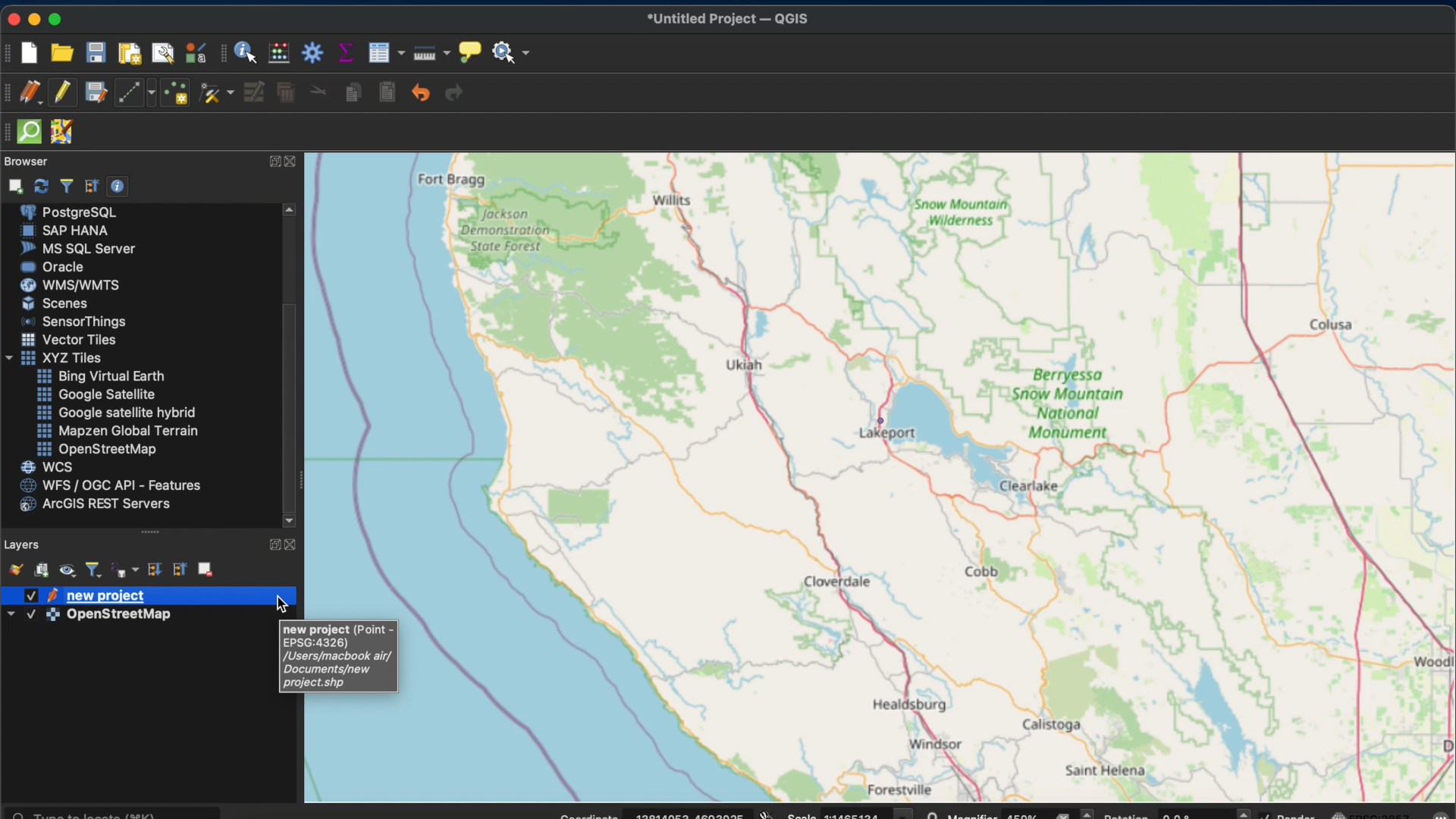 The height and width of the screenshot is (819, 1456). I want to click on collapse all, so click(179, 570).